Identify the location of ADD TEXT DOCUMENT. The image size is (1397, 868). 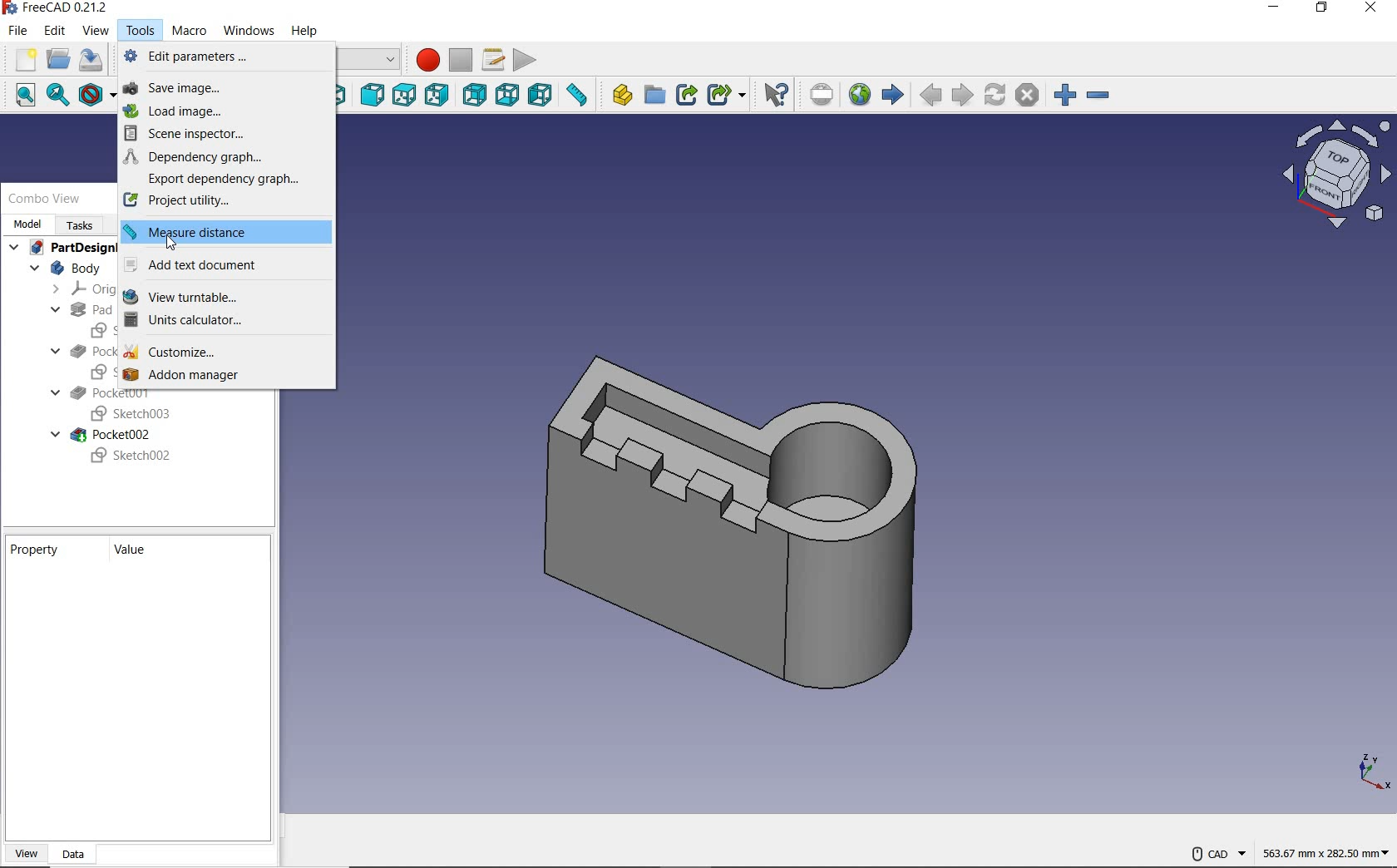
(225, 268).